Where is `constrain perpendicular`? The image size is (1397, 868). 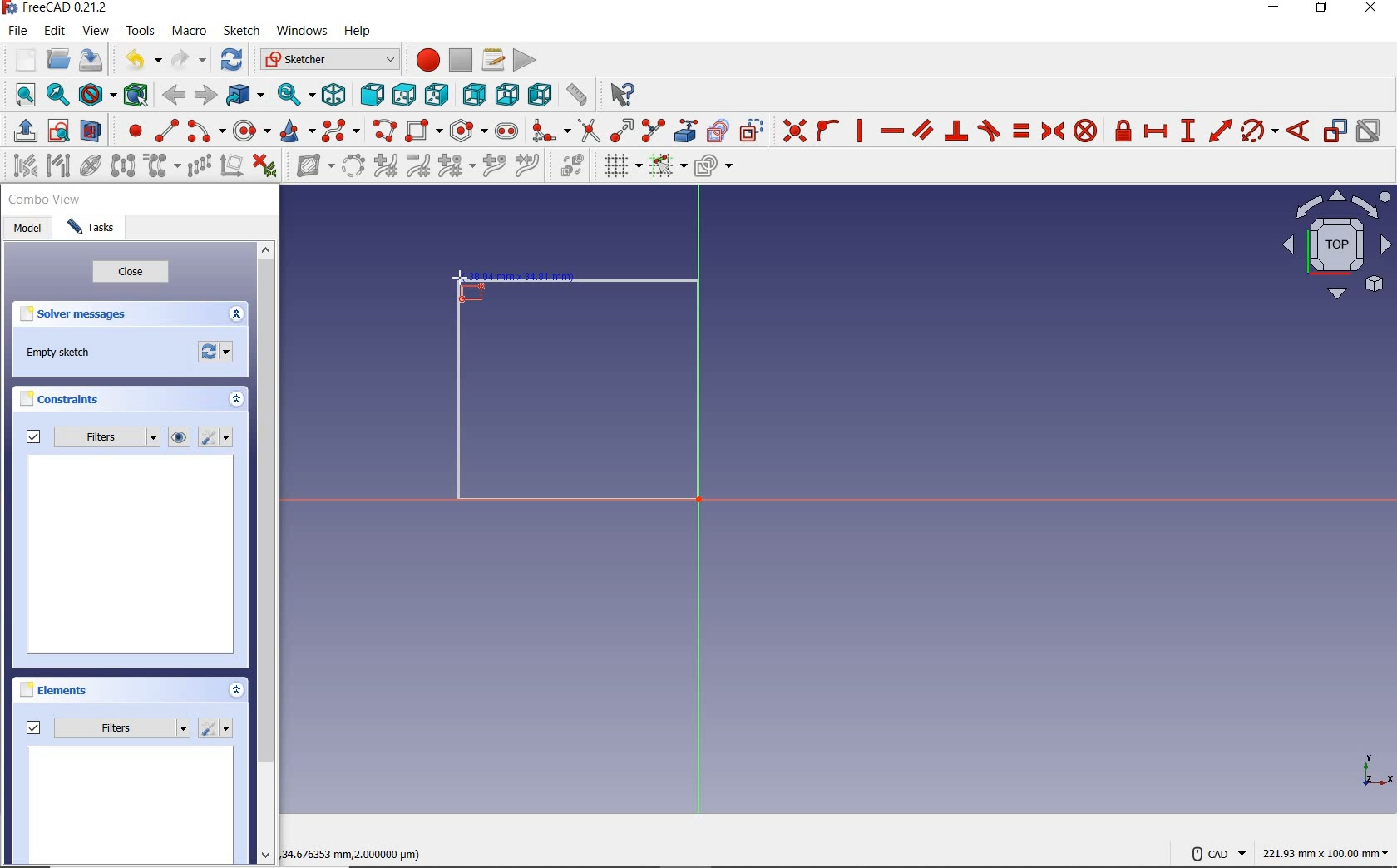 constrain perpendicular is located at coordinates (956, 131).